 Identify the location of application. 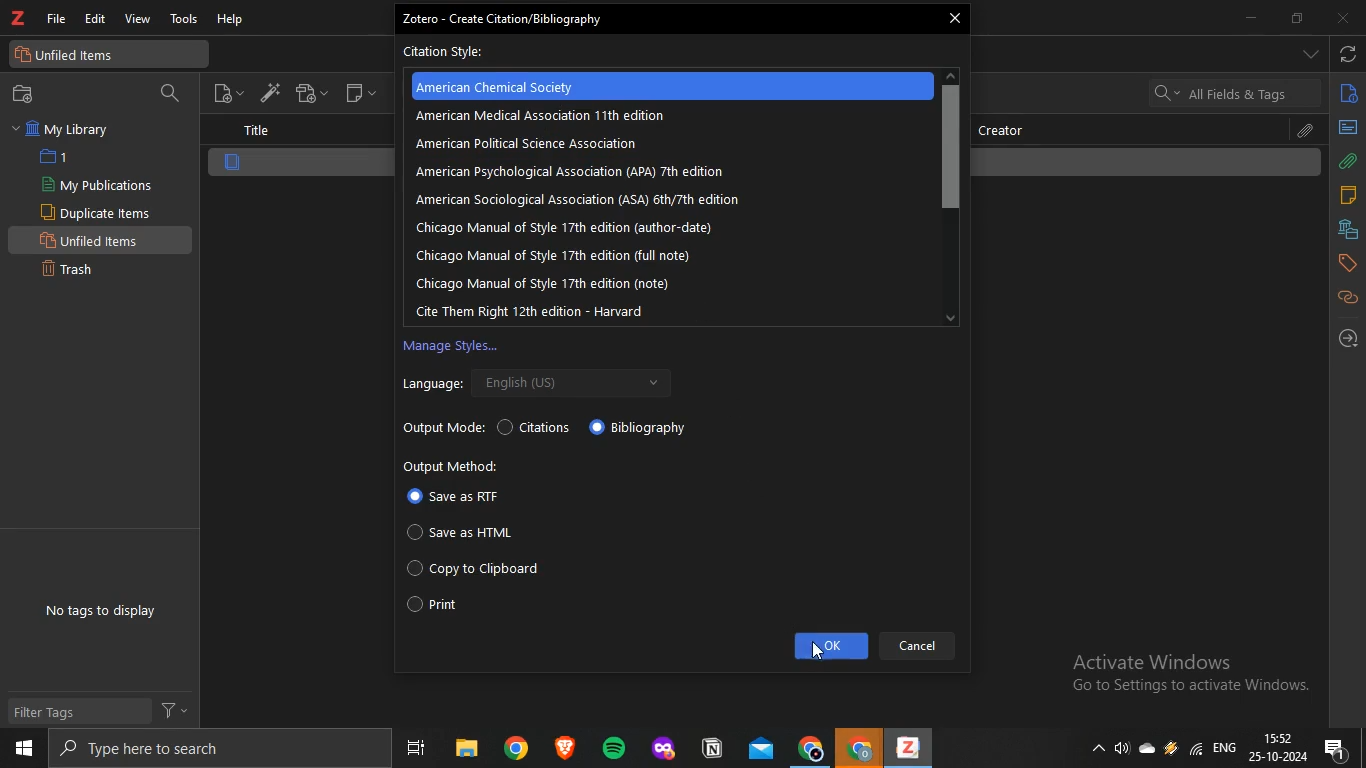
(715, 749).